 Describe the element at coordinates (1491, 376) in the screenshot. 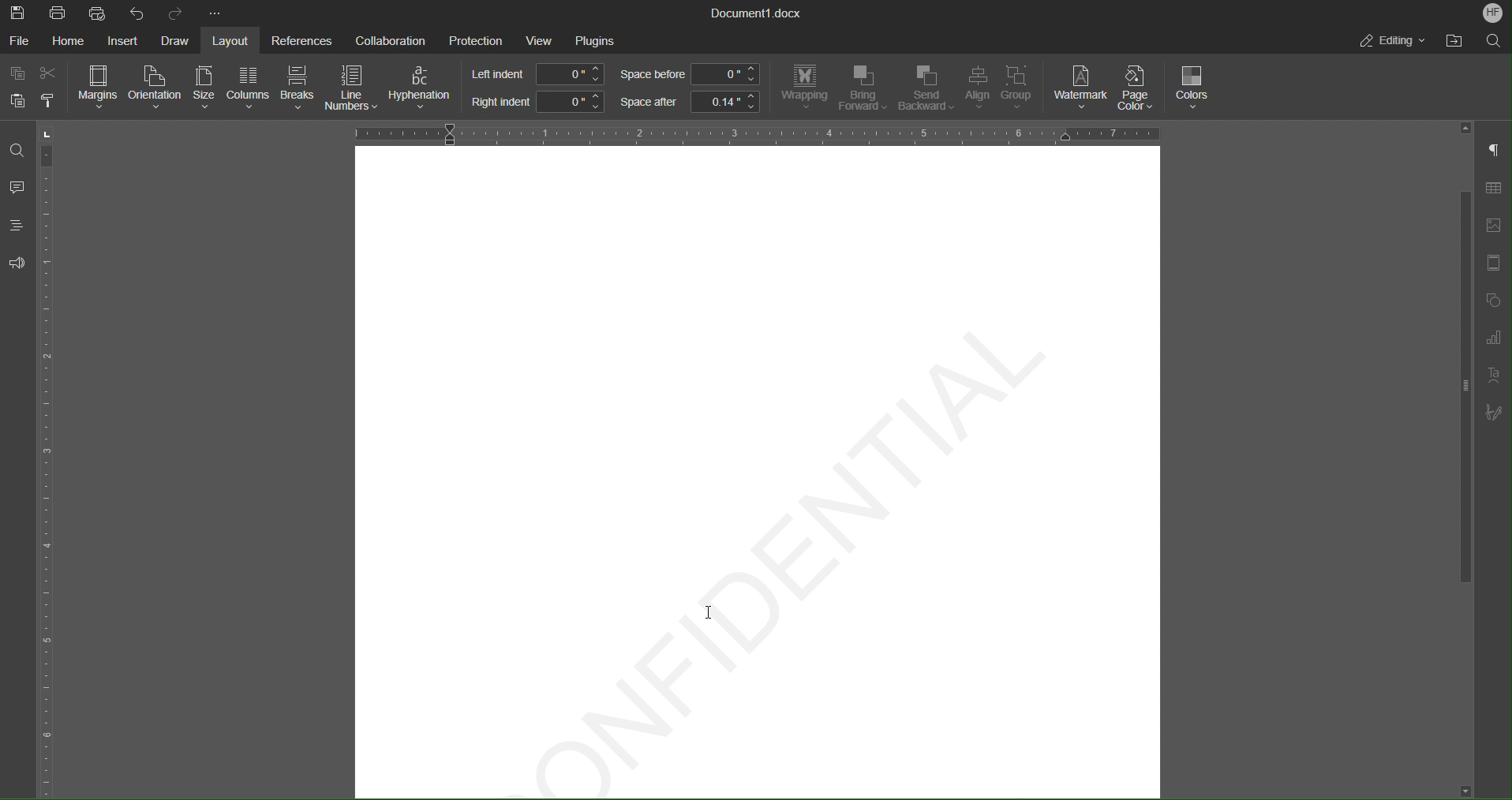

I see `Text Art` at that location.